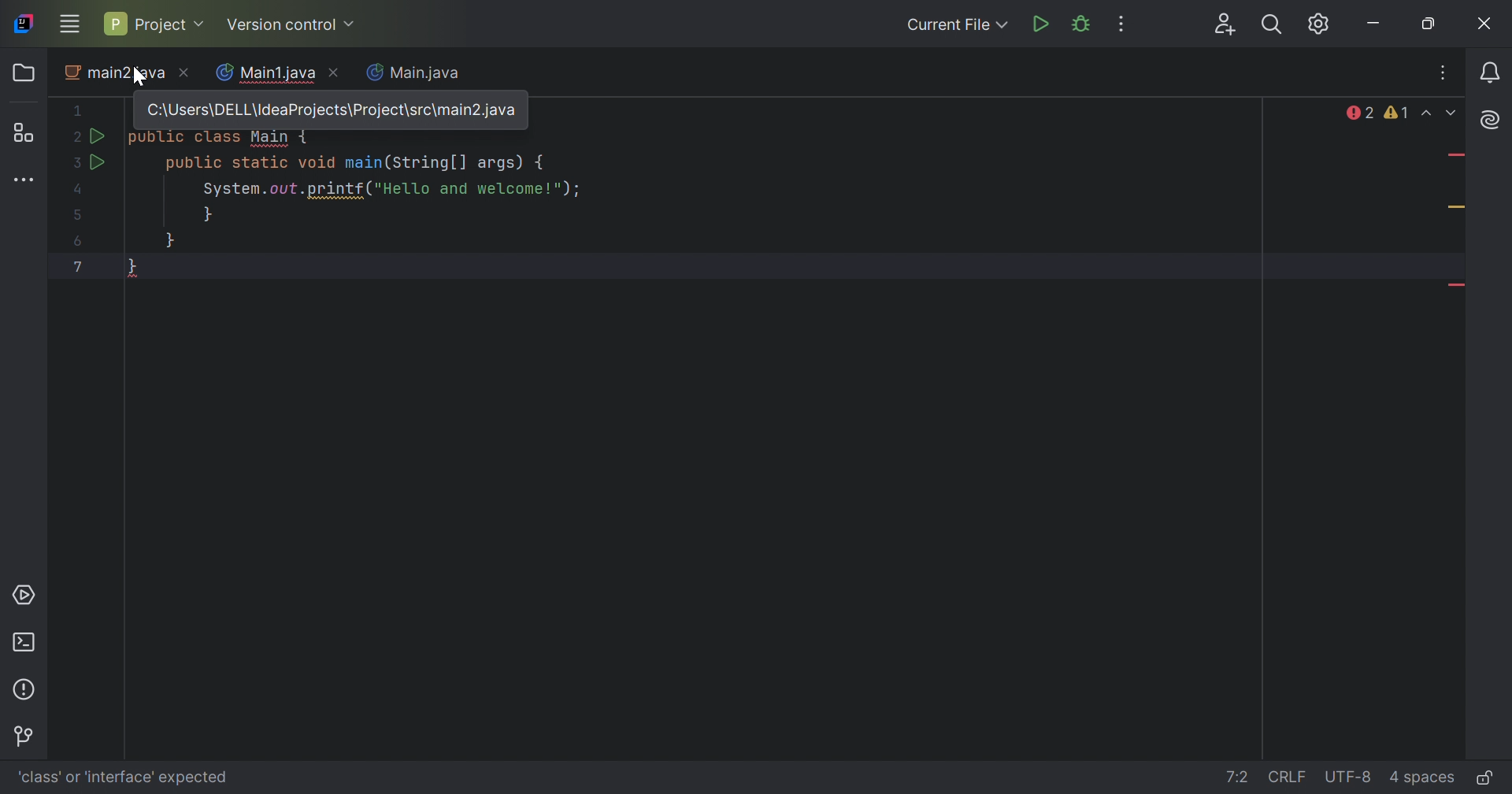  I want to click on Services, so click(27, 595).